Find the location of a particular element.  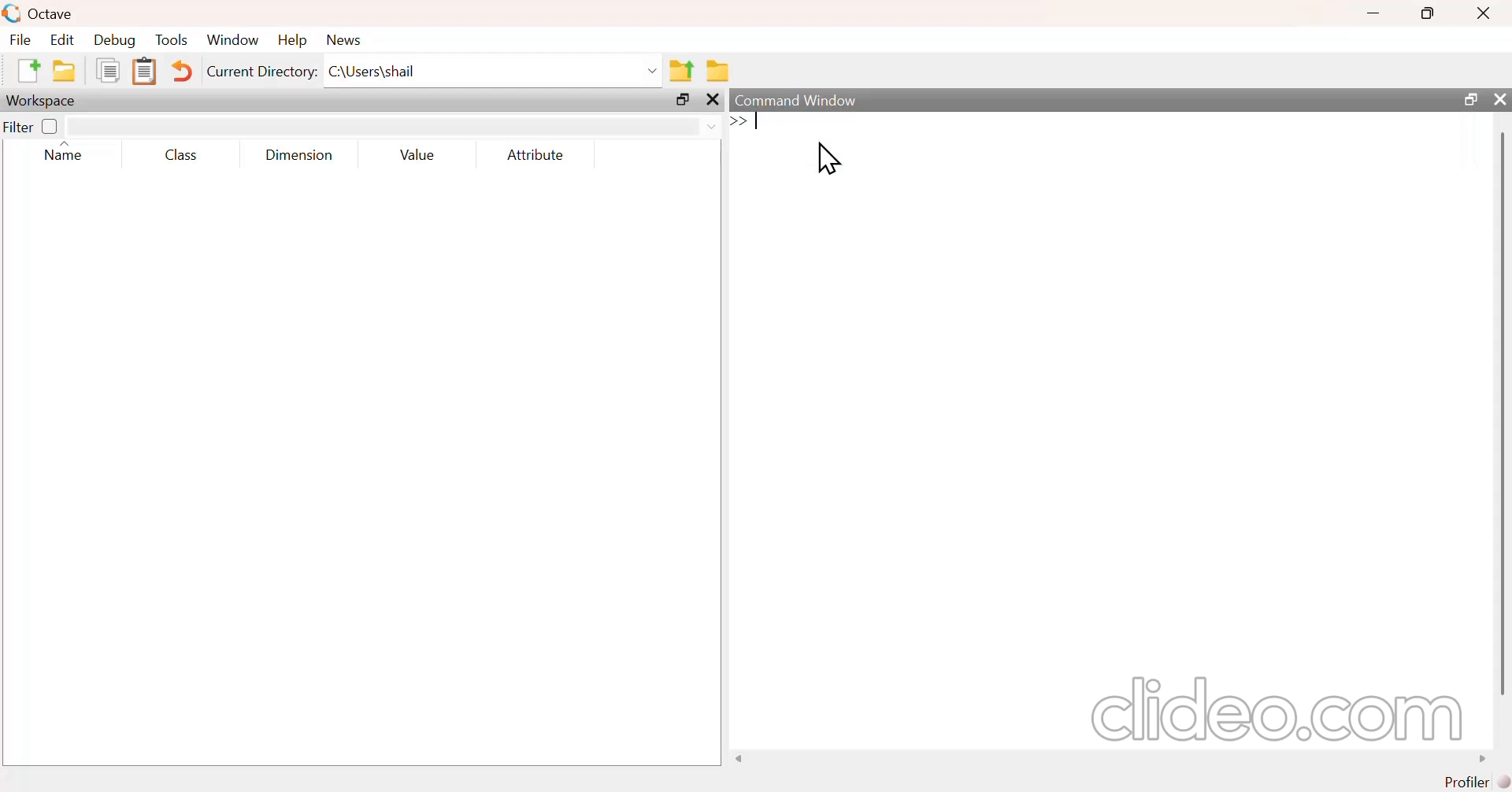

close is located at coordinates (712, 99).